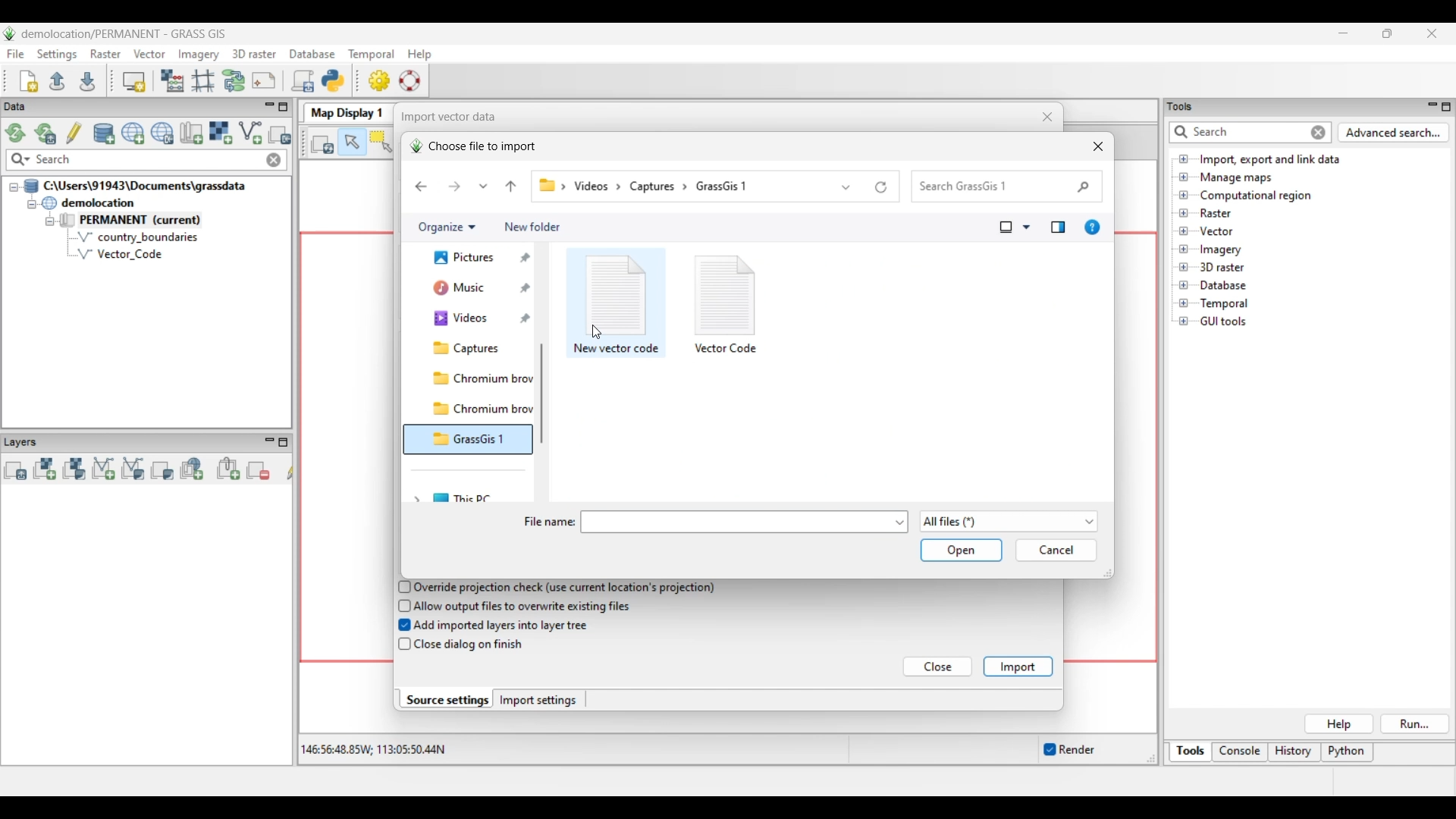  What do you see at coordinates (601, 331) in the screenshot?
I see `cursor` at bounding box center [601, 331].